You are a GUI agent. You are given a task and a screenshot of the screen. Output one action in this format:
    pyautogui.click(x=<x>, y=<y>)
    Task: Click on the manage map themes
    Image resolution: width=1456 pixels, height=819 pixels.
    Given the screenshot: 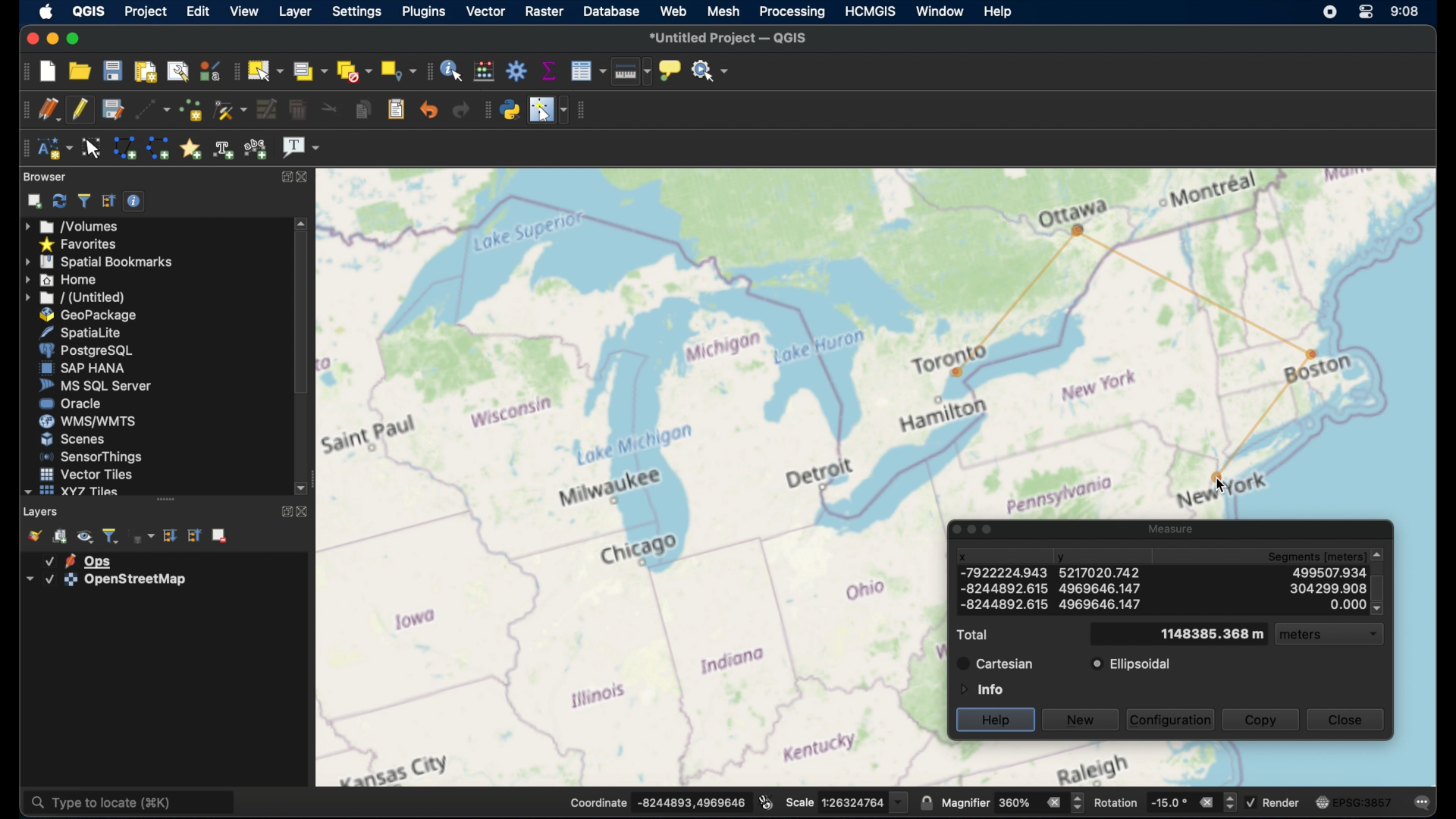 What is the action you would take?
    pyautogui.click(x=85, y=536)
    